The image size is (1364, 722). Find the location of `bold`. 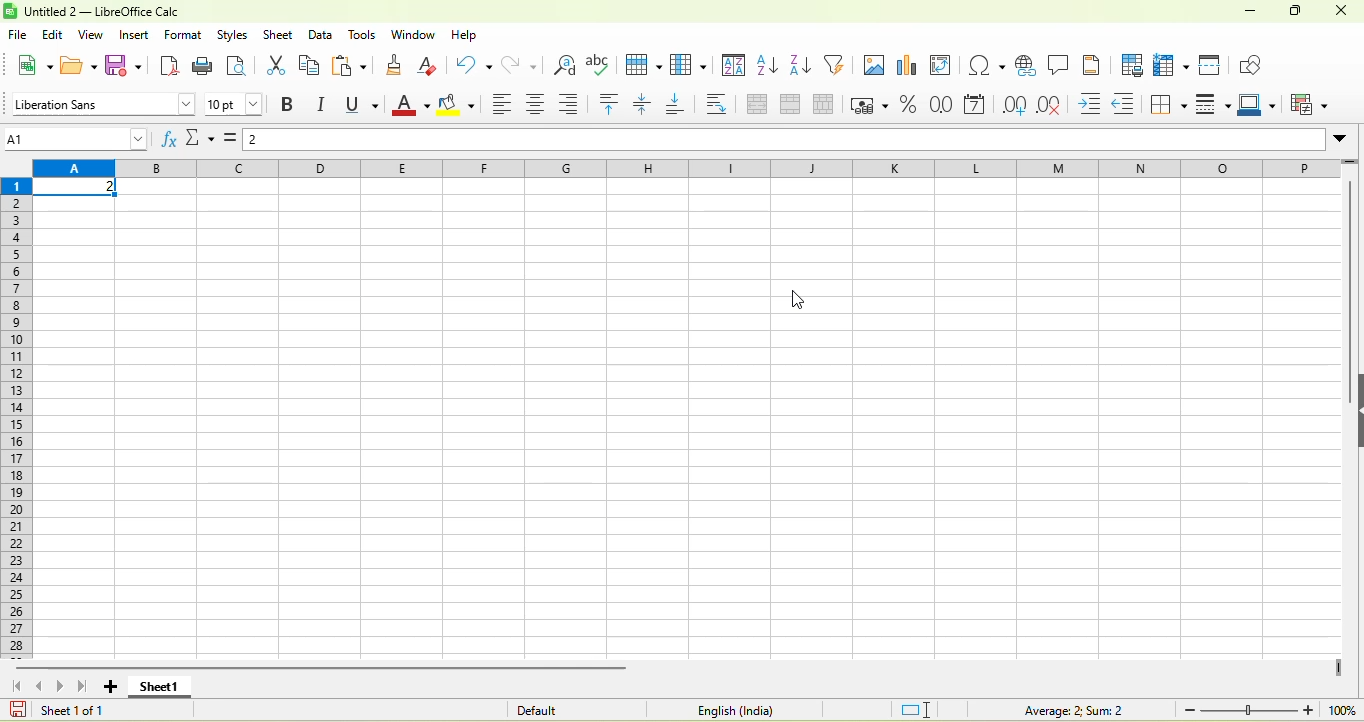

bold is located at coordinates (289, 106).